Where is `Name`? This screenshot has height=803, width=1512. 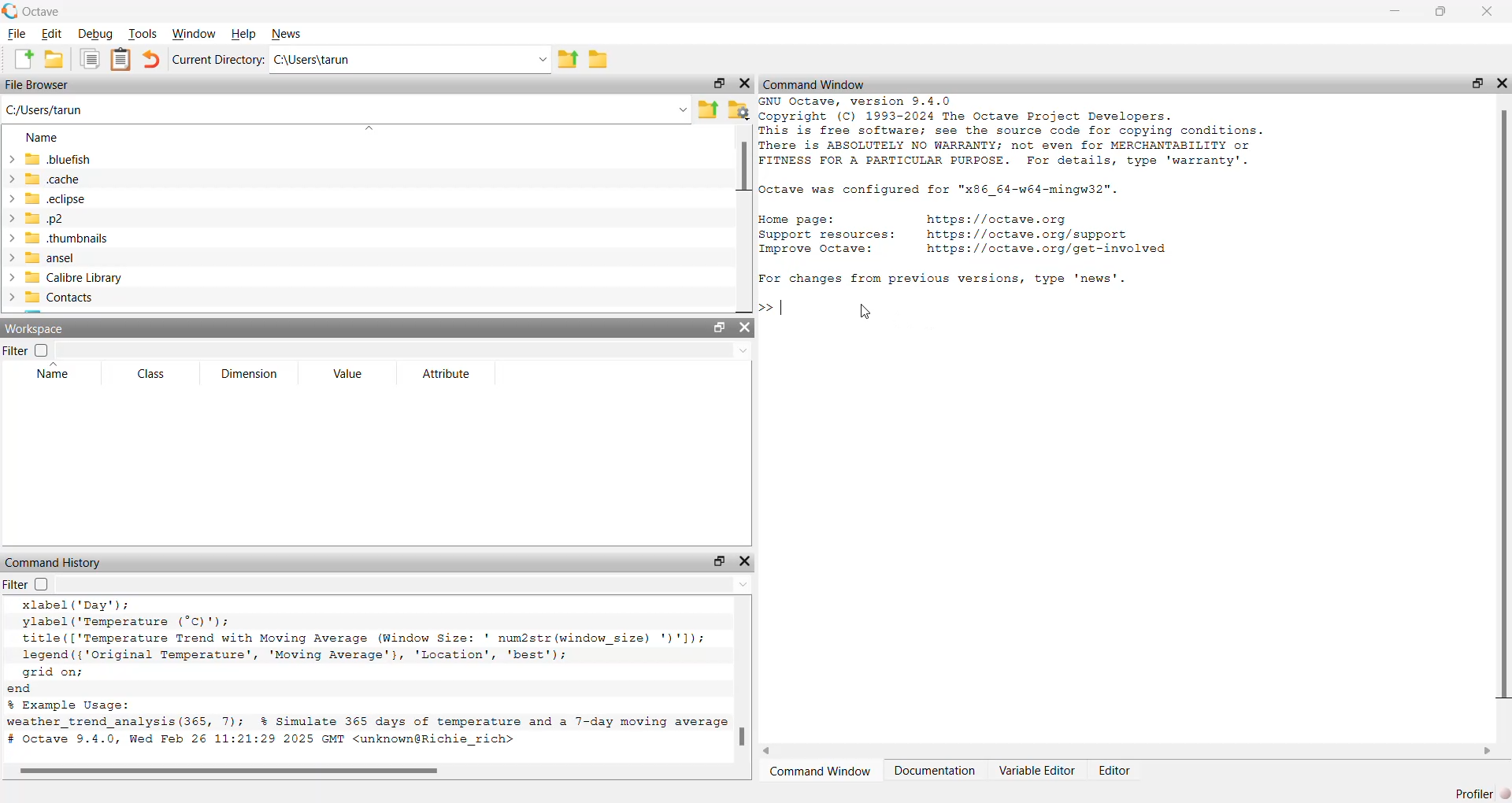
Name is located at coordinates (44, 139).